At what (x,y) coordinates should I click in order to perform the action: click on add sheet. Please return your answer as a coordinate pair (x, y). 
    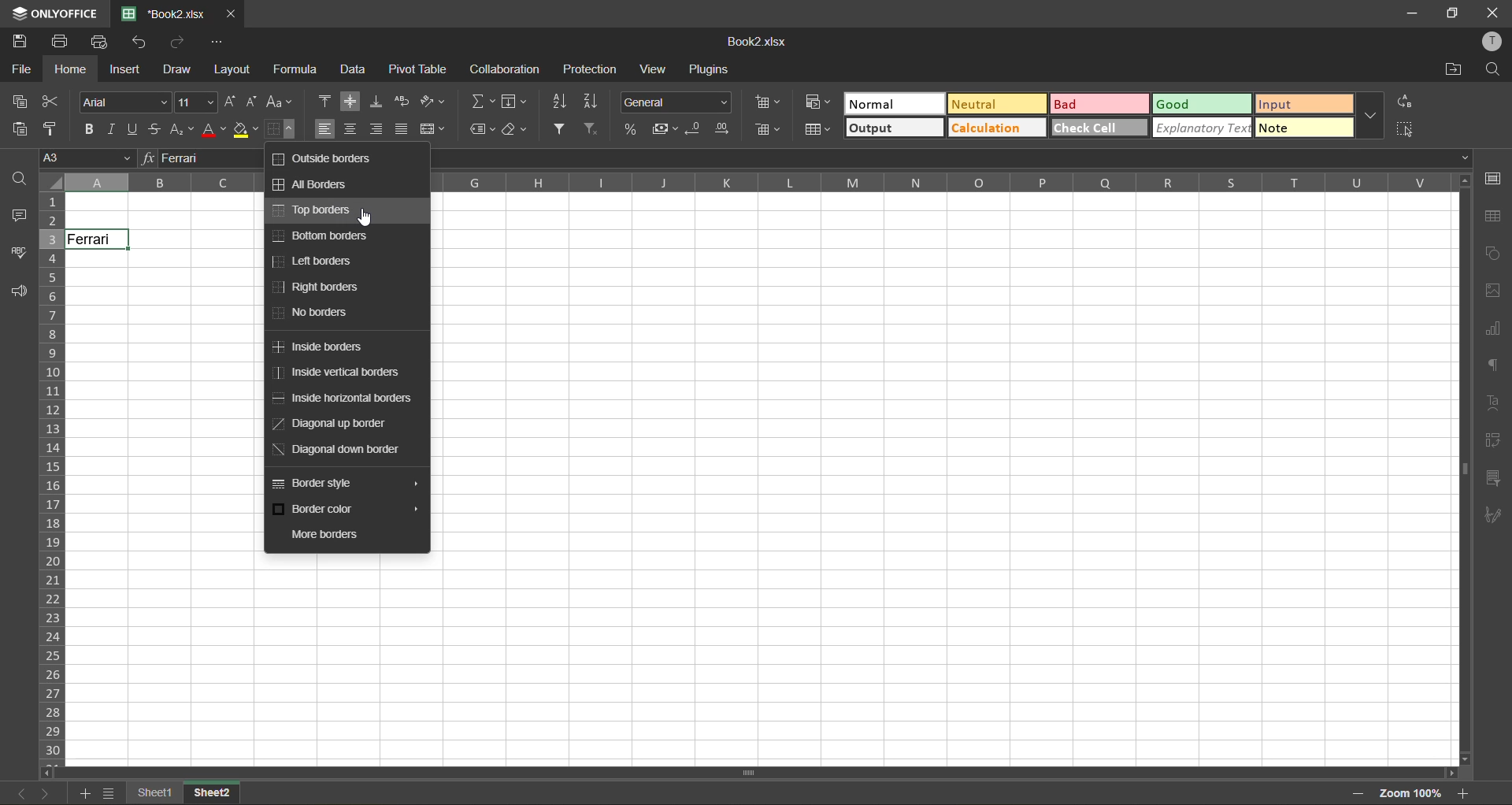
    Looking at the image, I should click on (82, 794).